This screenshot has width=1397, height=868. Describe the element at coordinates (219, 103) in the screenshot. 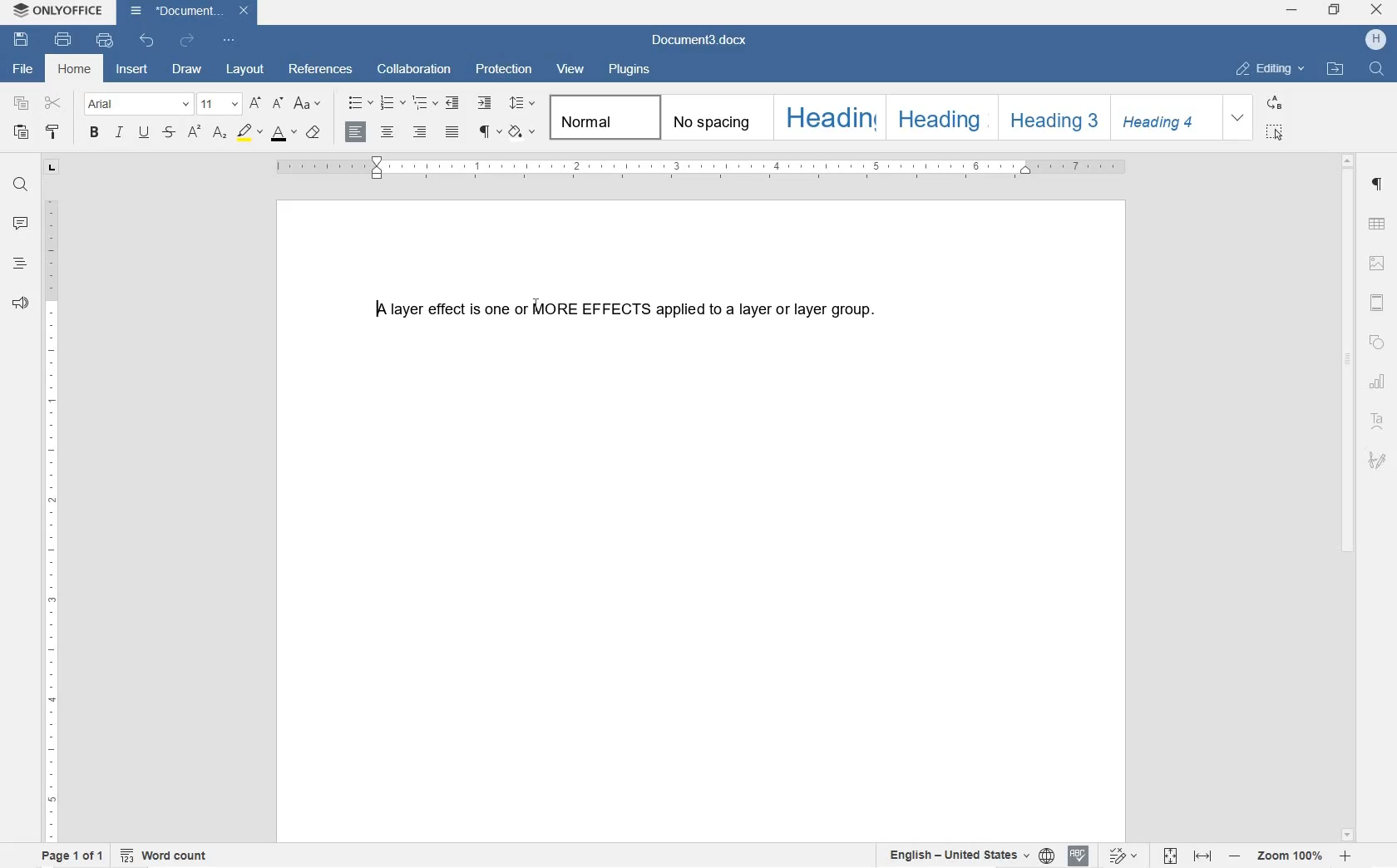

I see `FONT SIZE` at that location.